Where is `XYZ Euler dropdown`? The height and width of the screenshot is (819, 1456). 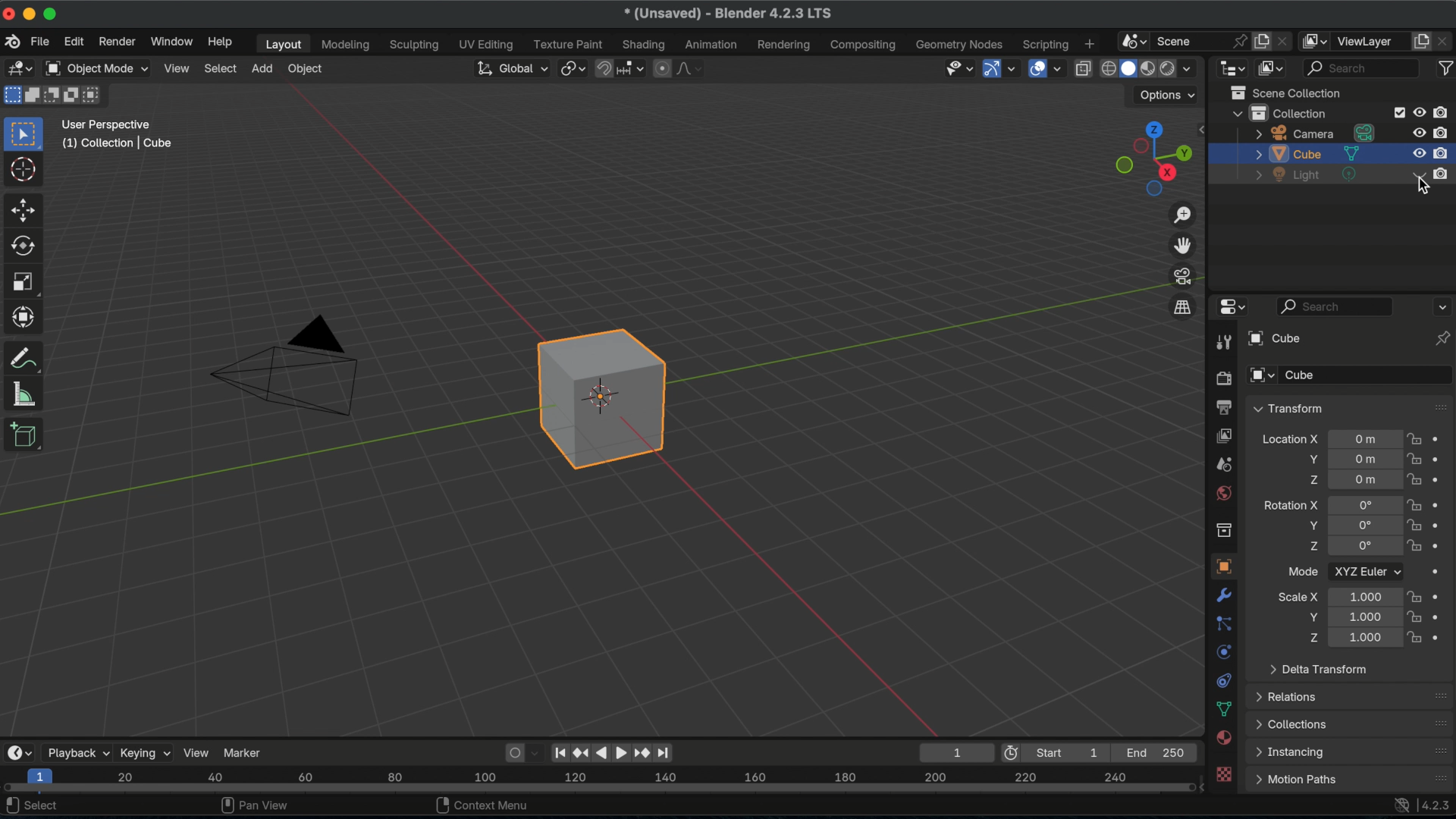 XYZ Euler dropdown is located at coordinates (1367, 571).